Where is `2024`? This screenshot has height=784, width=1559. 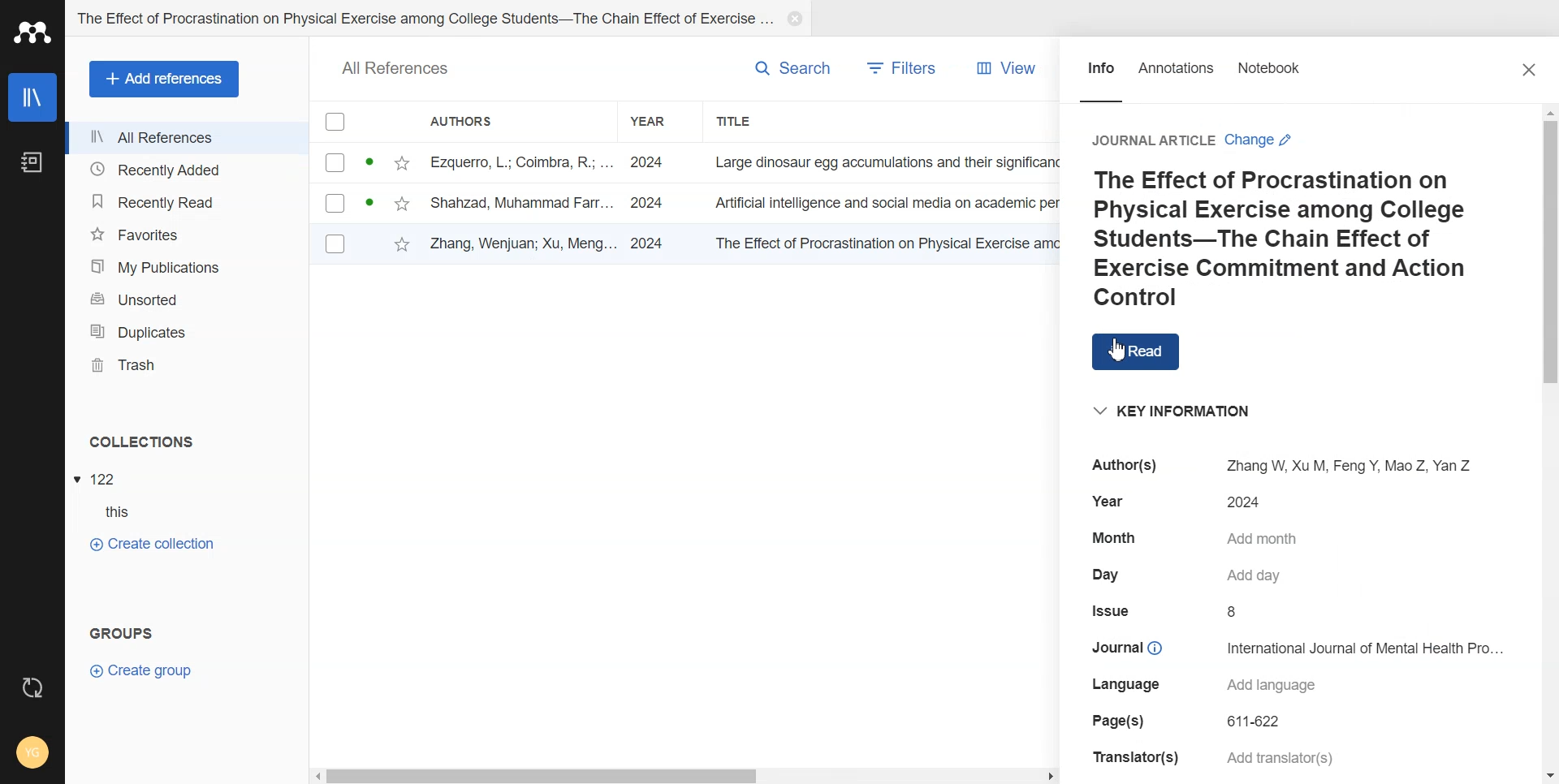 2024 is located at coordinates (648, 243).